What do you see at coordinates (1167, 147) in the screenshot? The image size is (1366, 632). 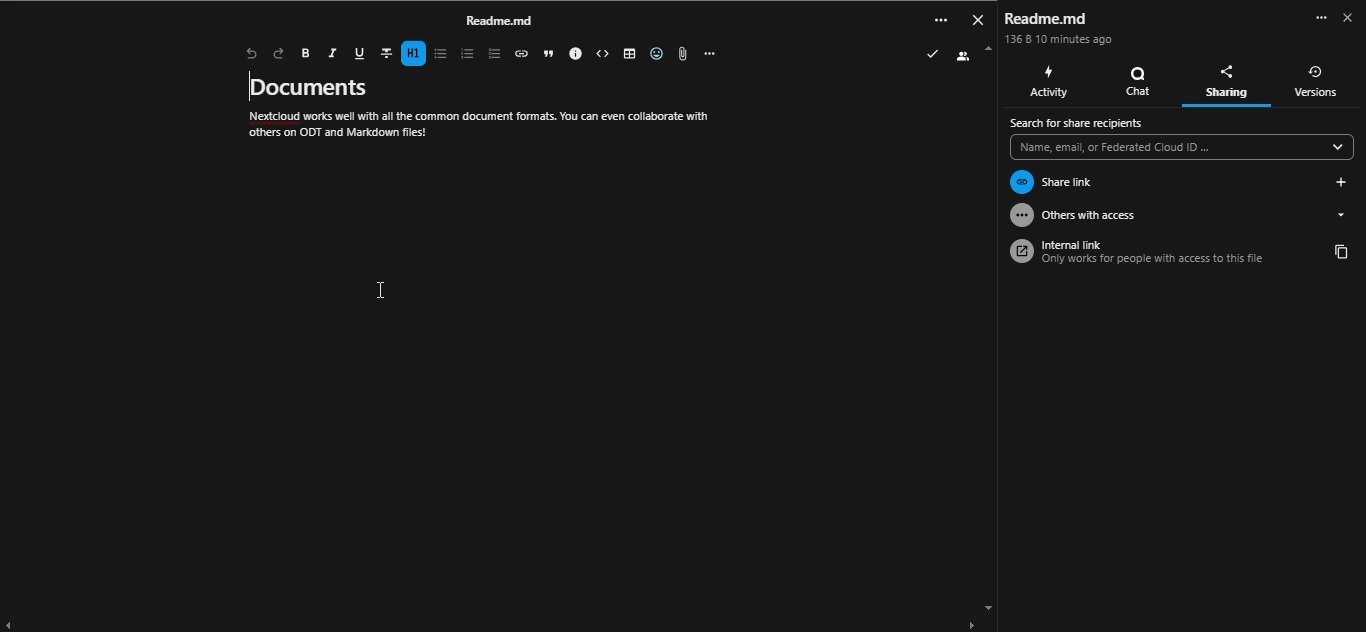 I see `‘Name, email, or Federated Cloud ID ...` at bounding box center [1167, 147].